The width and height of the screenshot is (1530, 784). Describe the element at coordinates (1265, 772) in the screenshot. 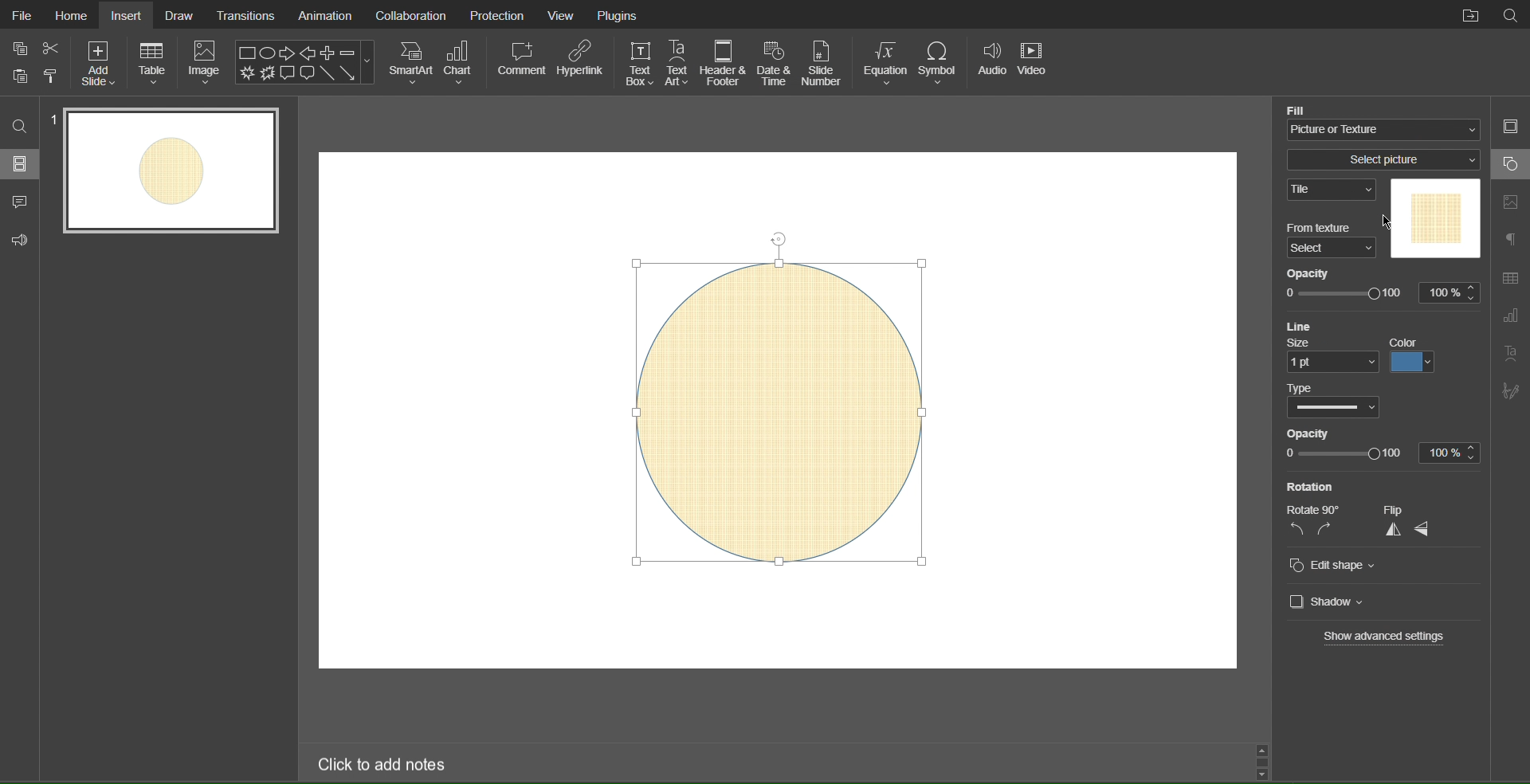

I see `scroll down` at that location.